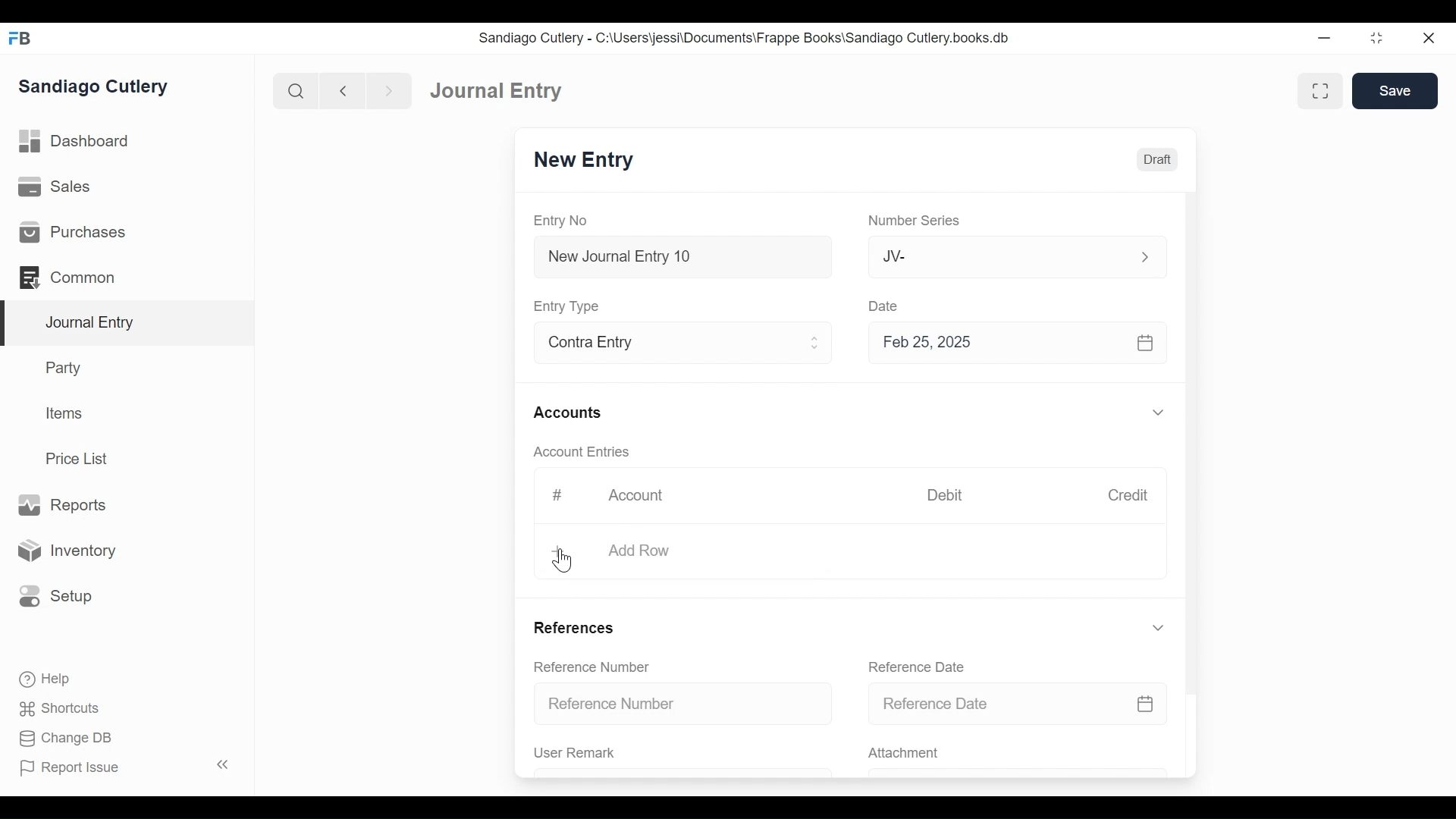 This screenshot has height=819, width=1456. What do you see at coordinates (80, 458) in the screenshot?
I see `Price List` at bounding box center [80, 458].